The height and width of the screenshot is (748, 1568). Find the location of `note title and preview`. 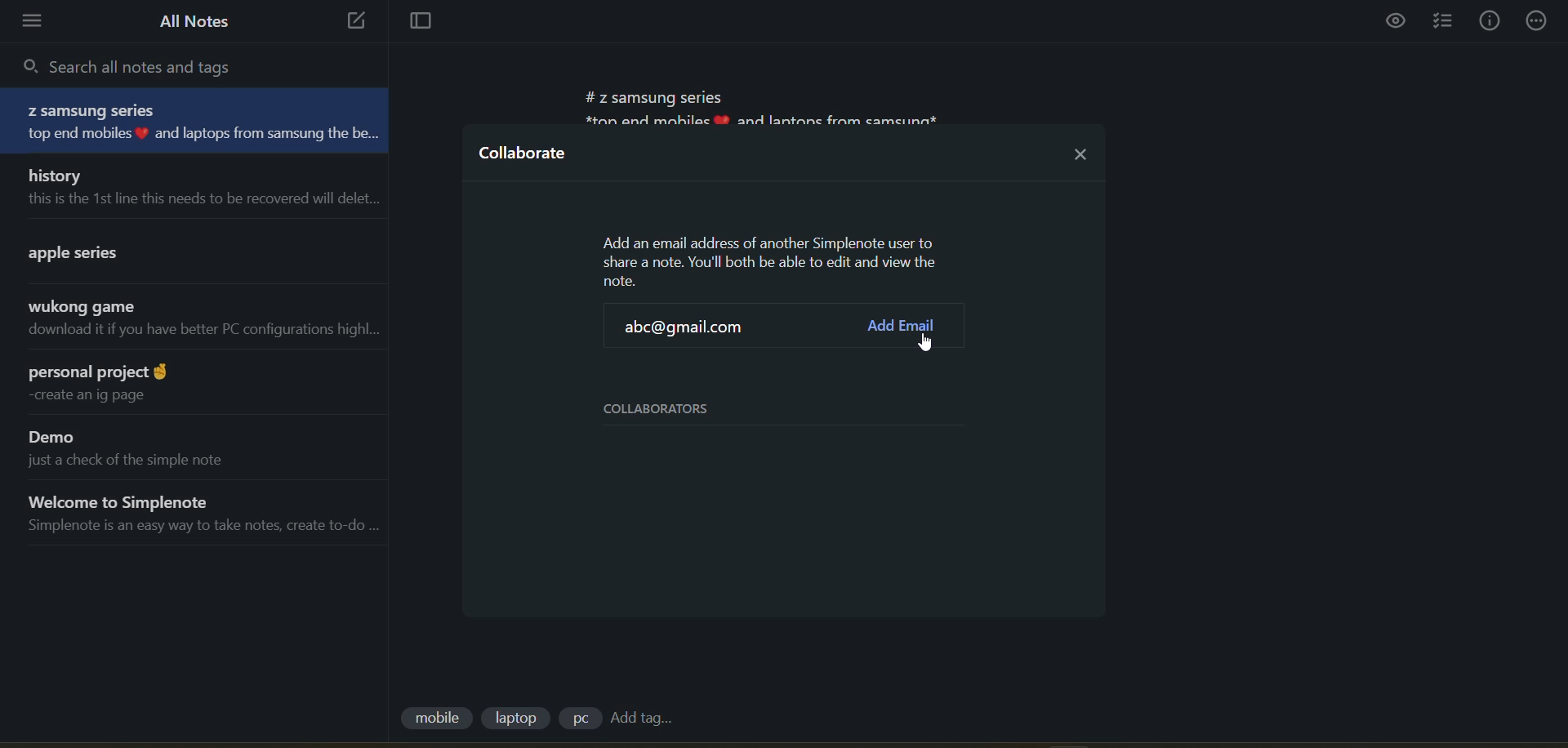

note title and preview is located at coordinates (192, 322).